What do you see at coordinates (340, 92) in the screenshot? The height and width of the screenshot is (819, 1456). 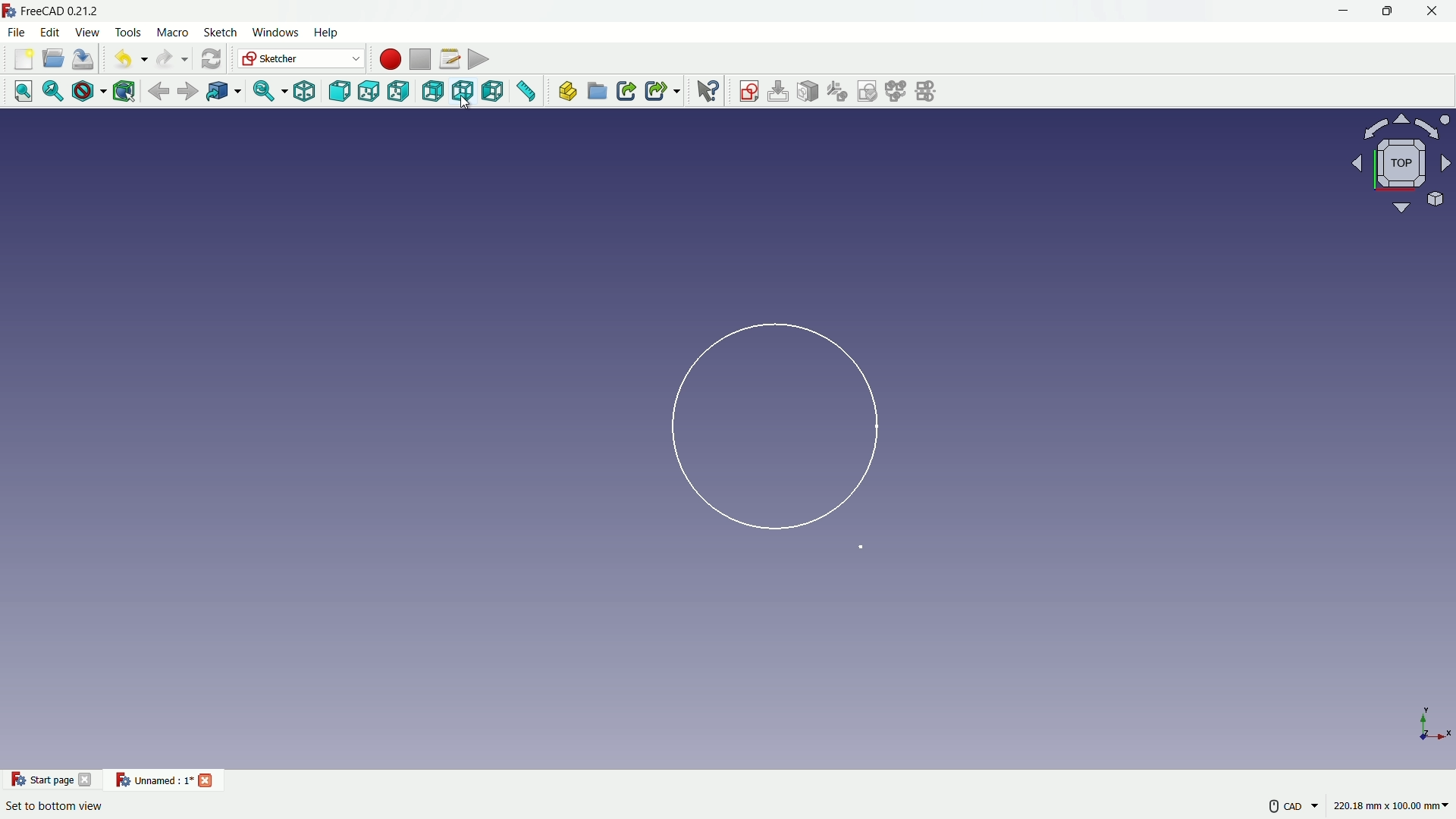 I see `front view` at bounding box center [340, 92].